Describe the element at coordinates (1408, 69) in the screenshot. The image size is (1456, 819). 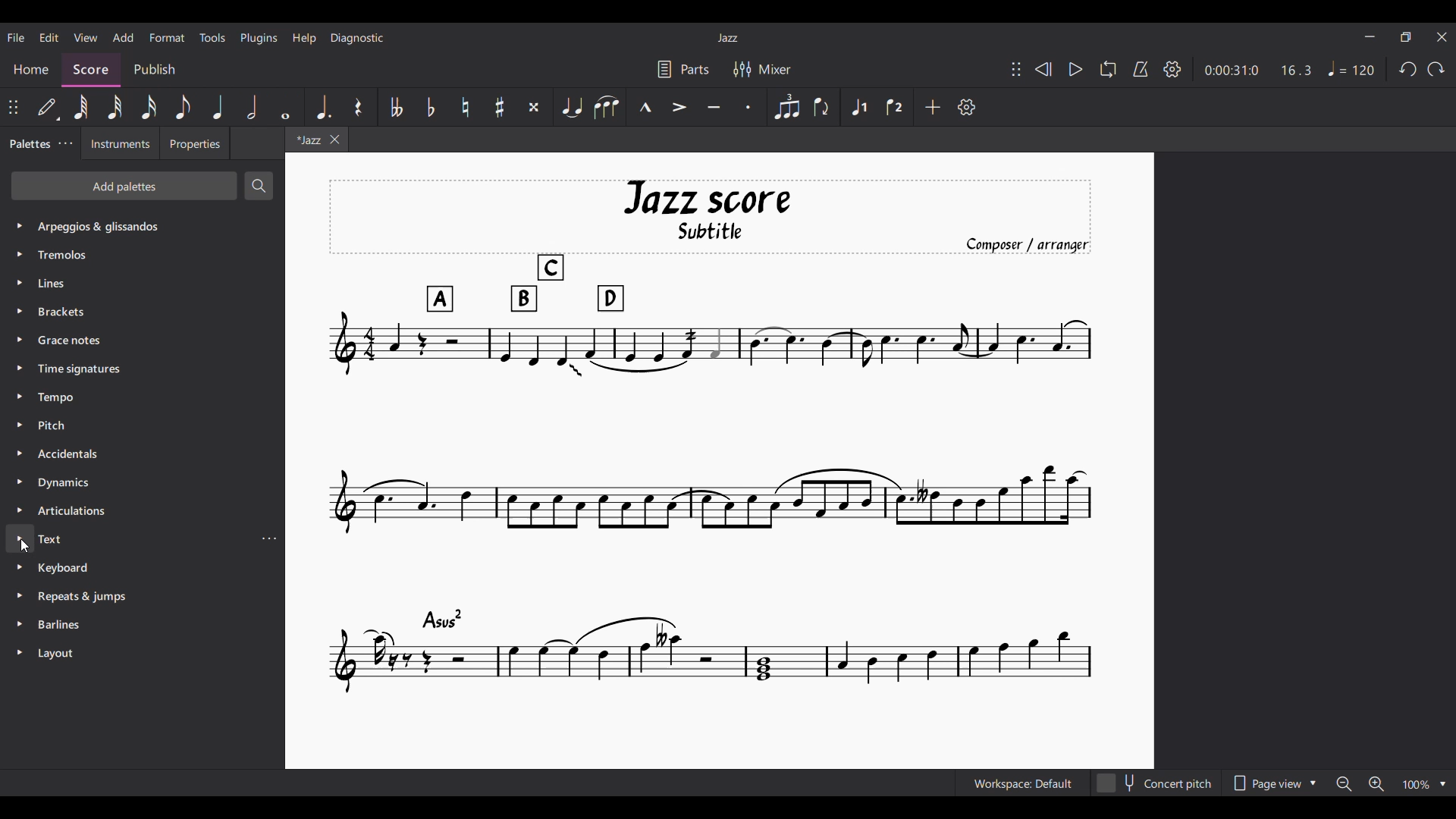
I see `Undo` at that location.